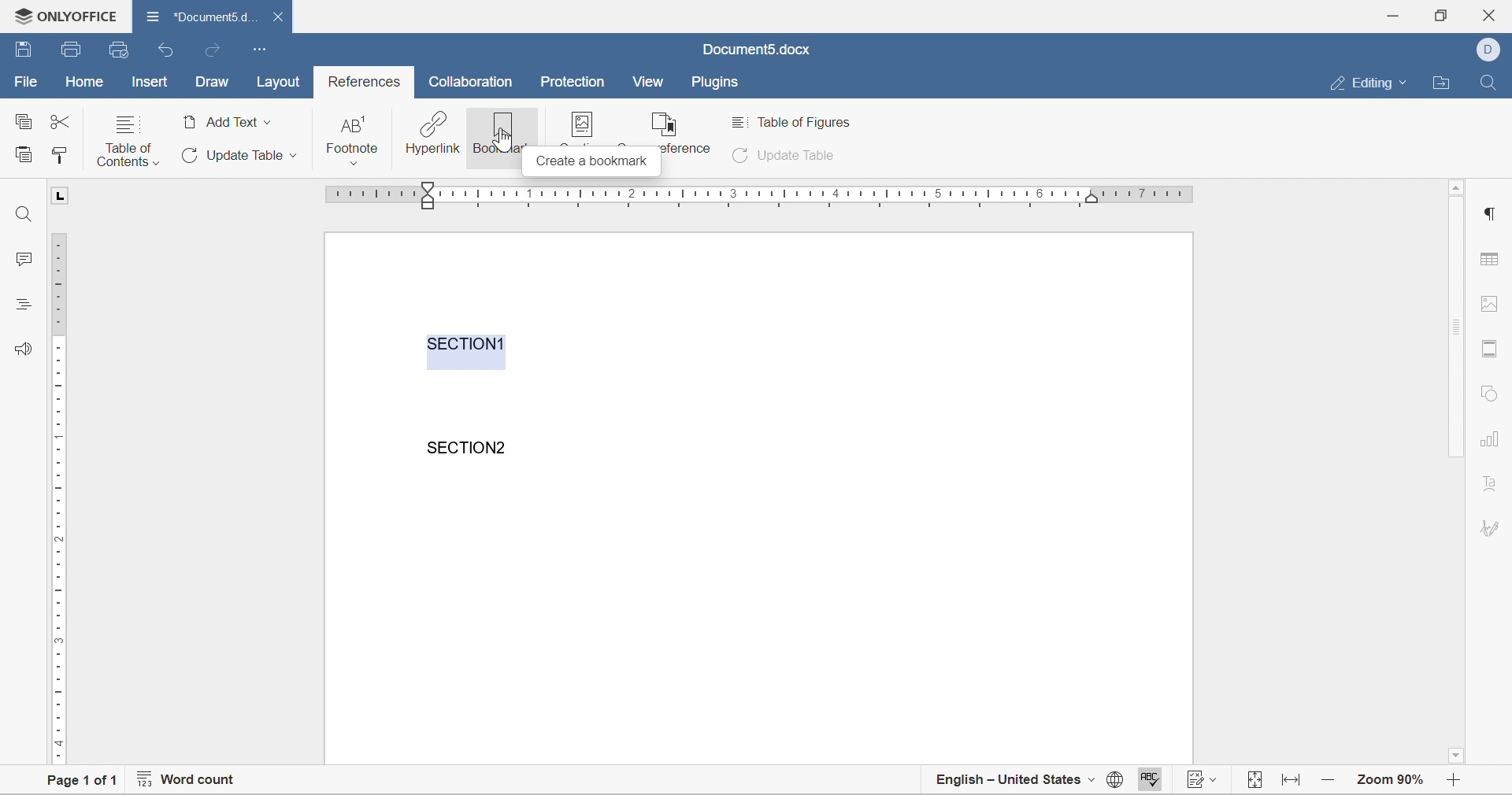  I want to click on minimize, so click(1396, 13).